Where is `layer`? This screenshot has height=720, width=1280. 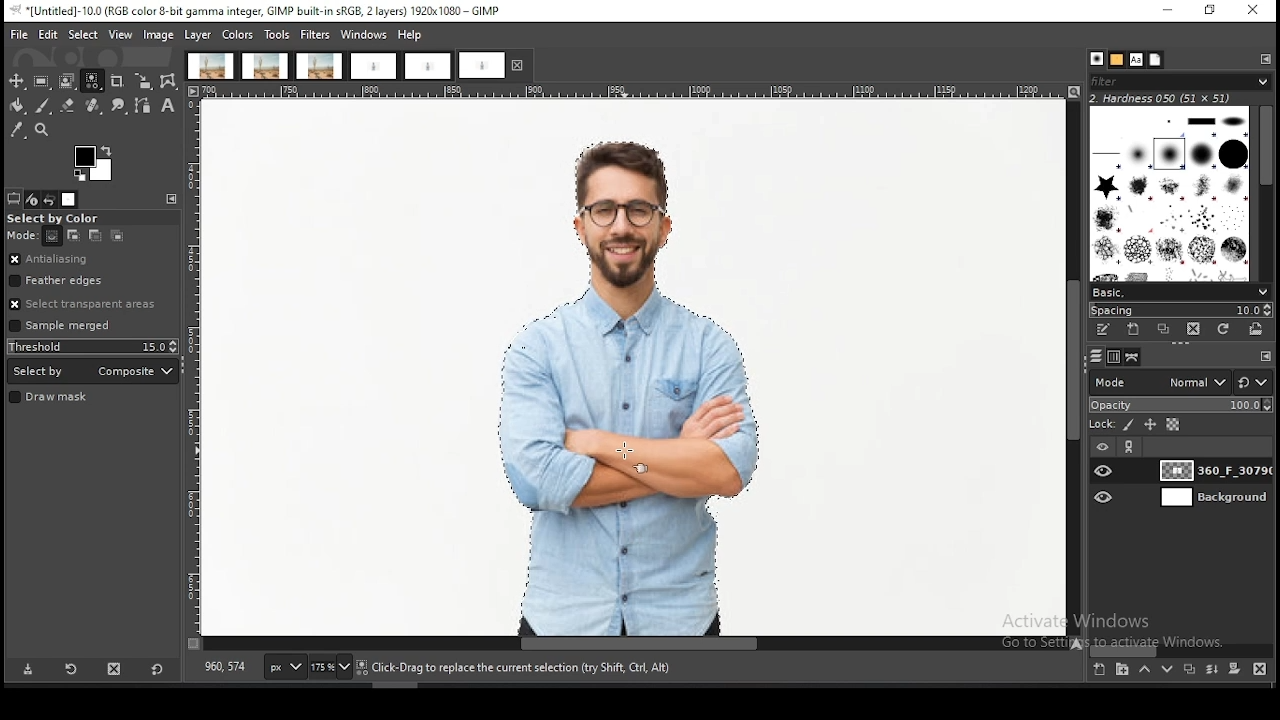 layer is located at coordinates (1212, 470).